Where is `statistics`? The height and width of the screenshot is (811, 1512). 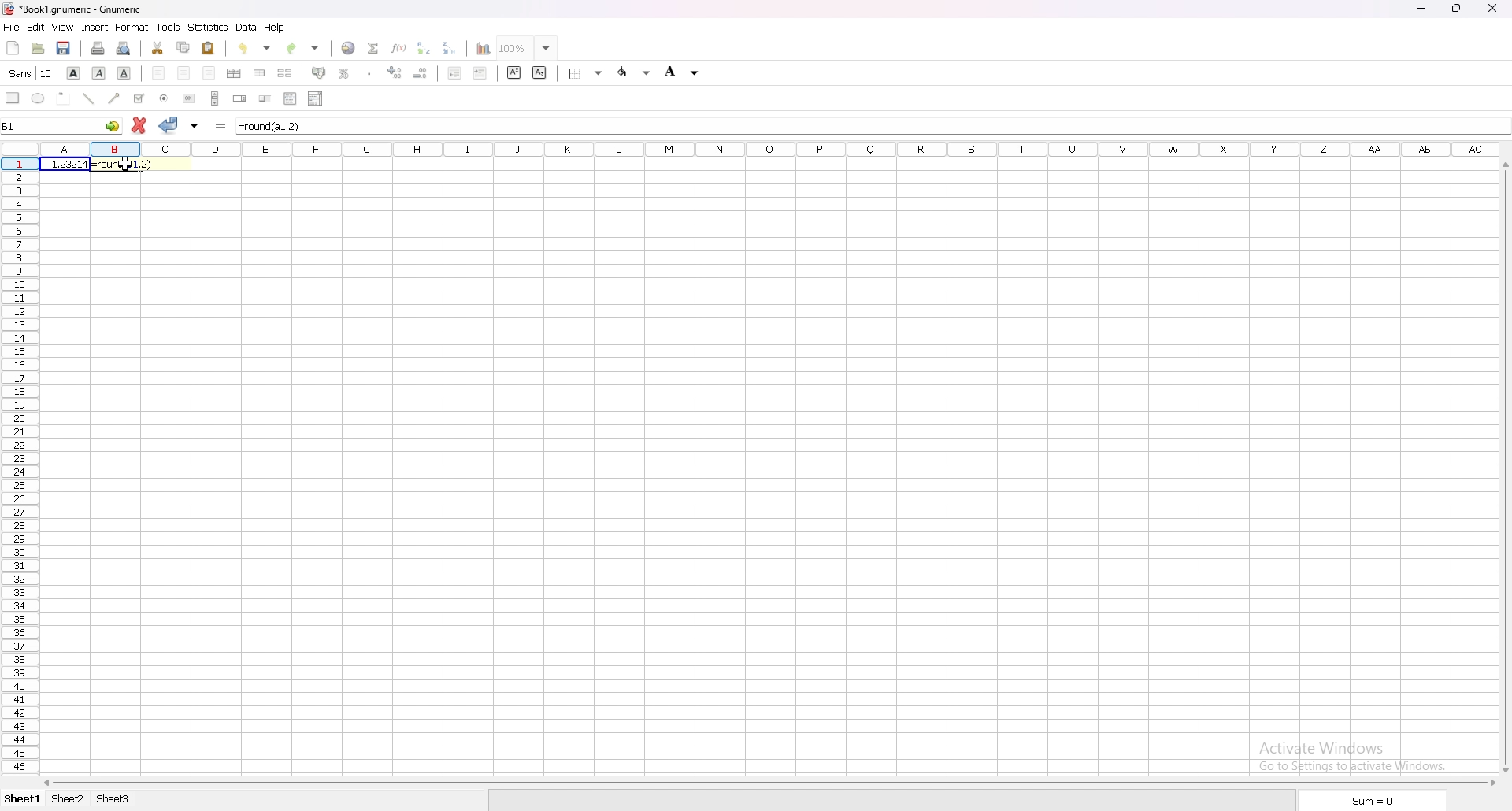 statistics is located at coordinates (208, 27).